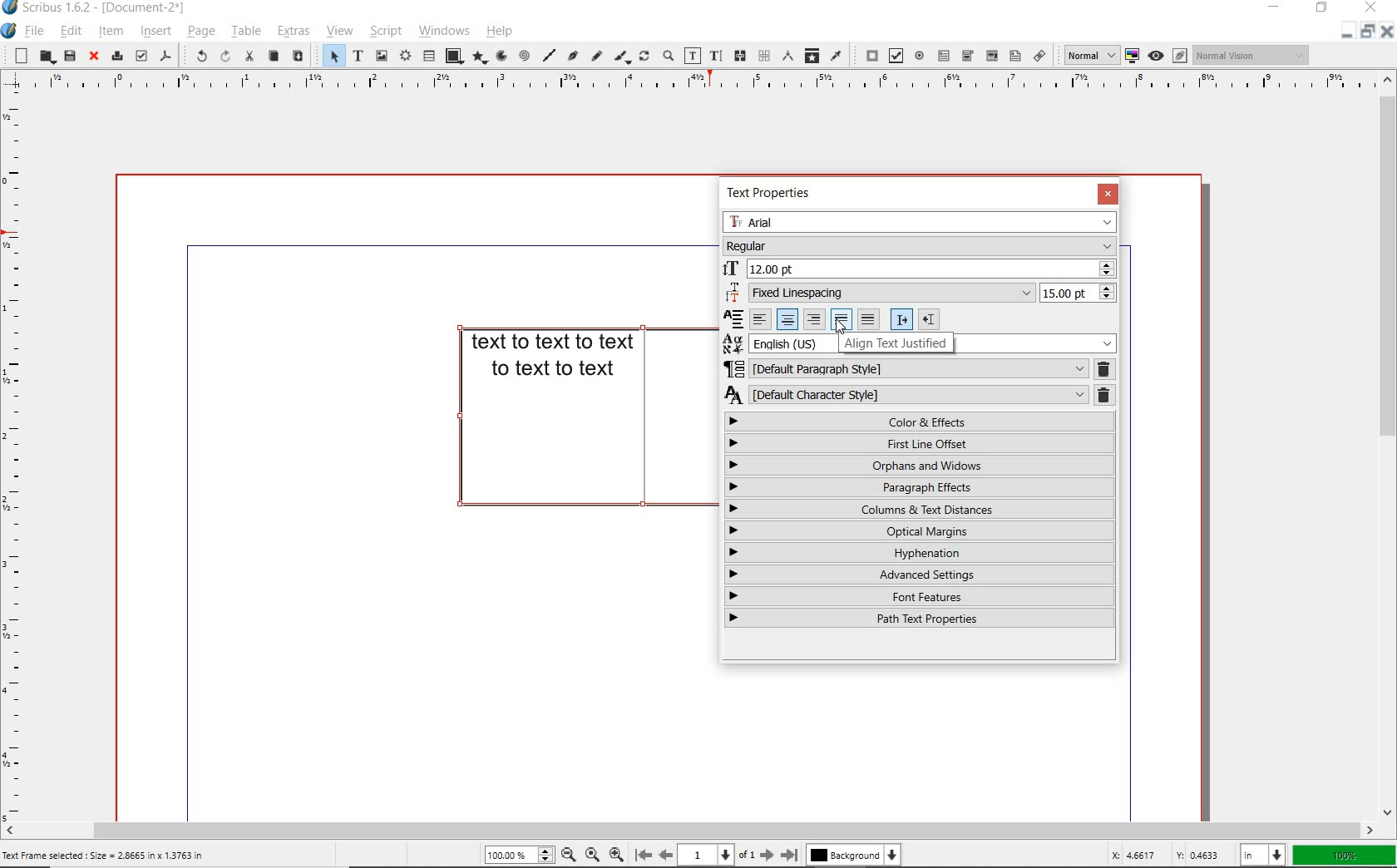 The height and width of the screenshot is (868, 1397). Describe the element at coordinates (568, 854) in the screenshot. I see `zoom out` at that location.